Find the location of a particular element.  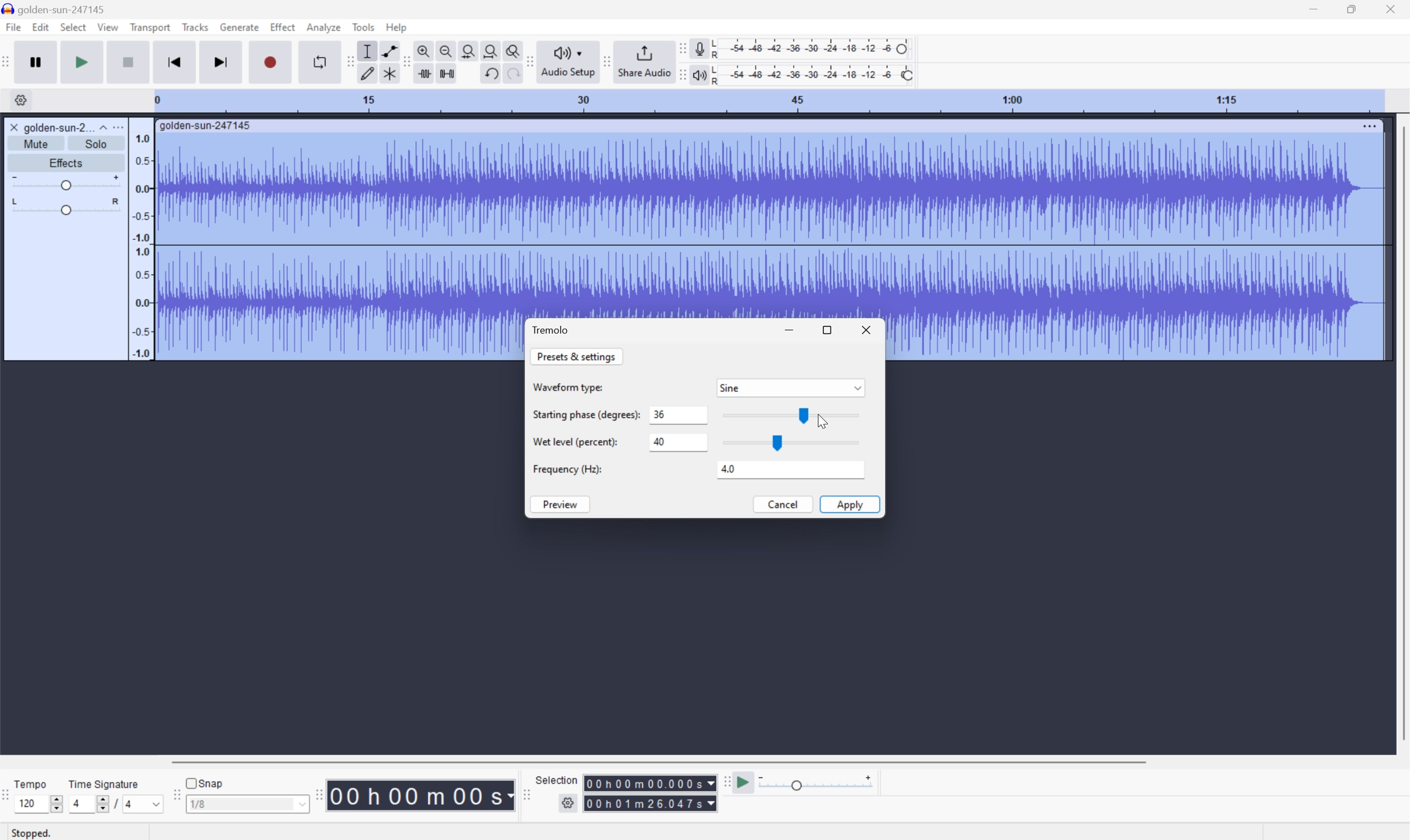

Audacity Time toolbar is located at coordinates (317, 795).